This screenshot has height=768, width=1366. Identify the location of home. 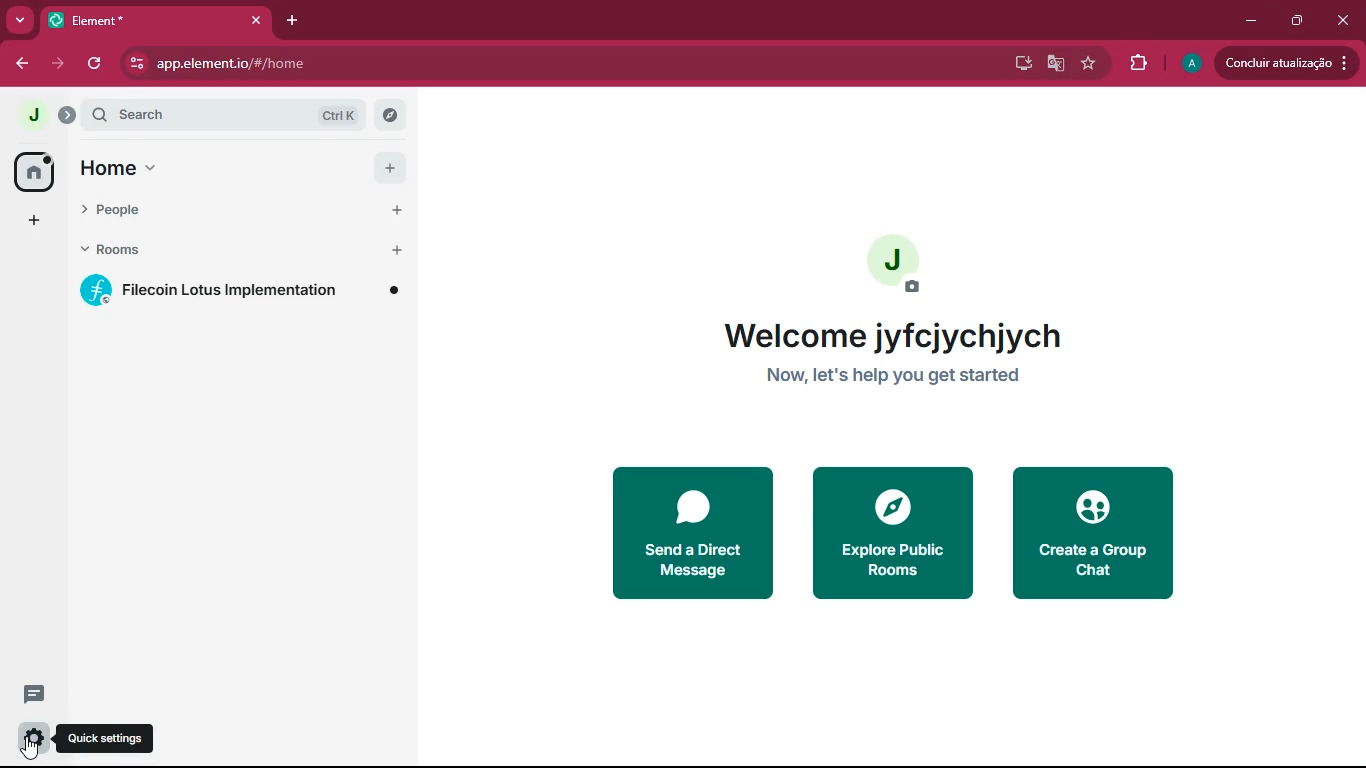
(32, 173).